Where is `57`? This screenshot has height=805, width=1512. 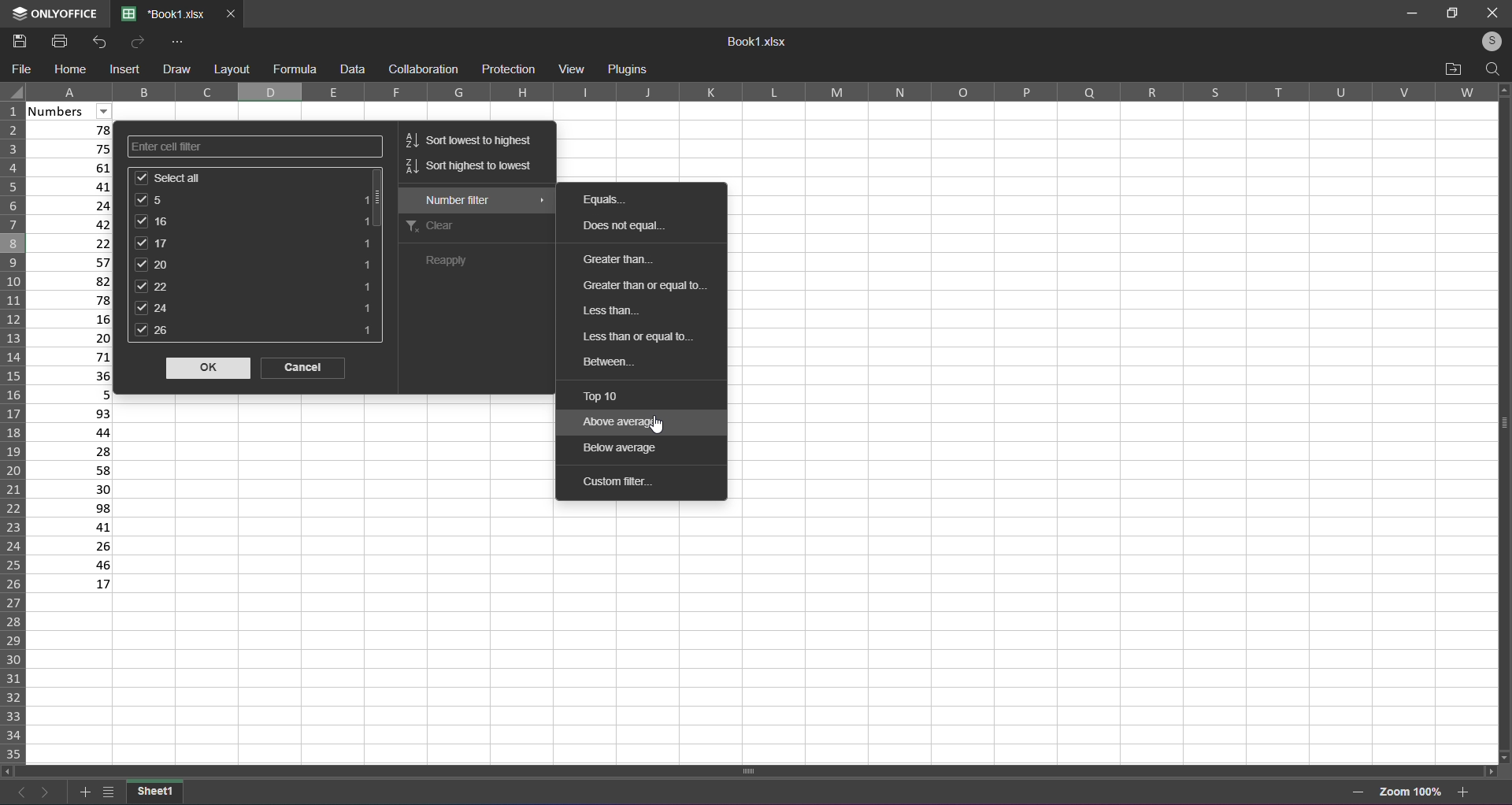
57 is located at coordinates (75, 261).